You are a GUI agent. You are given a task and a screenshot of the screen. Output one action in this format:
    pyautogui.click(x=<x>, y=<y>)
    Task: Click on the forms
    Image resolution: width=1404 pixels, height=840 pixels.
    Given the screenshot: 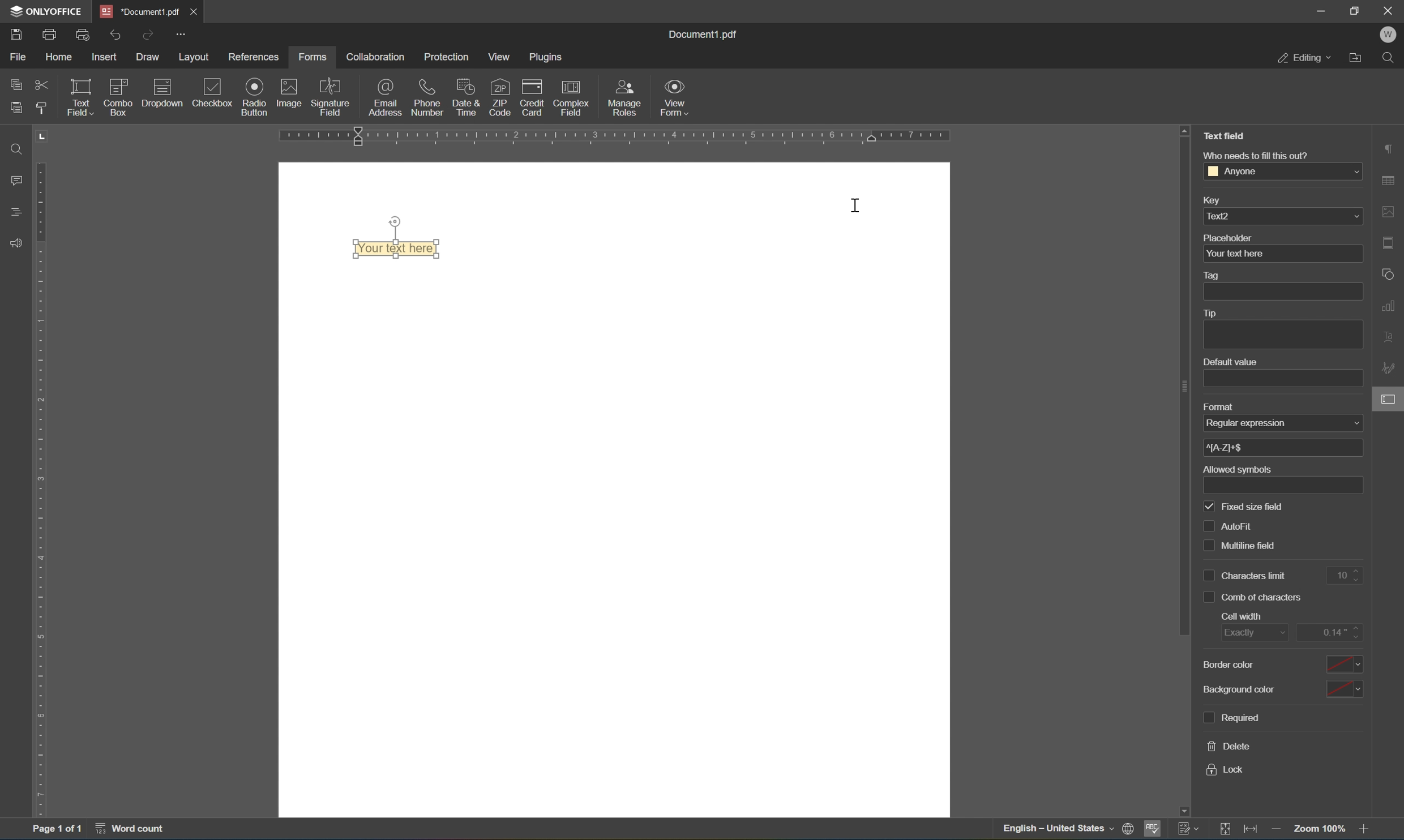 What is the action you would take?
    pyautogui.click(x=311, y=58)
    